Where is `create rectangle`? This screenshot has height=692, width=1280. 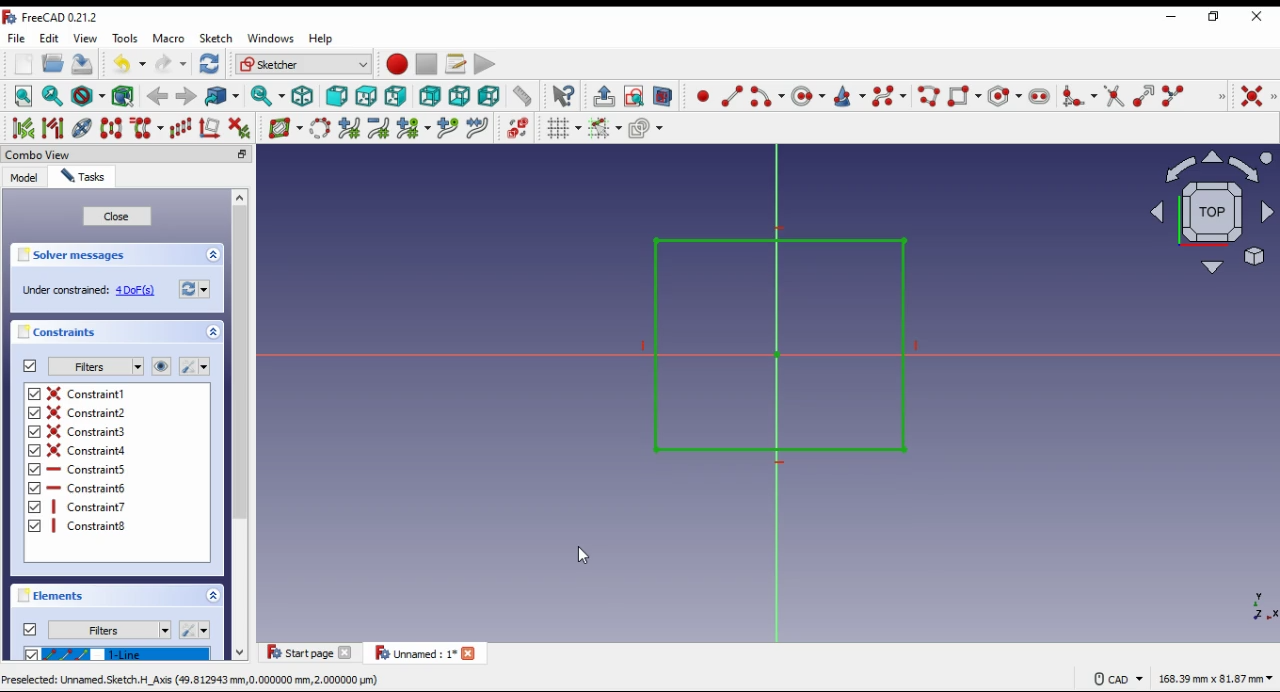 create rectangle is located at coordinates (965, 95).